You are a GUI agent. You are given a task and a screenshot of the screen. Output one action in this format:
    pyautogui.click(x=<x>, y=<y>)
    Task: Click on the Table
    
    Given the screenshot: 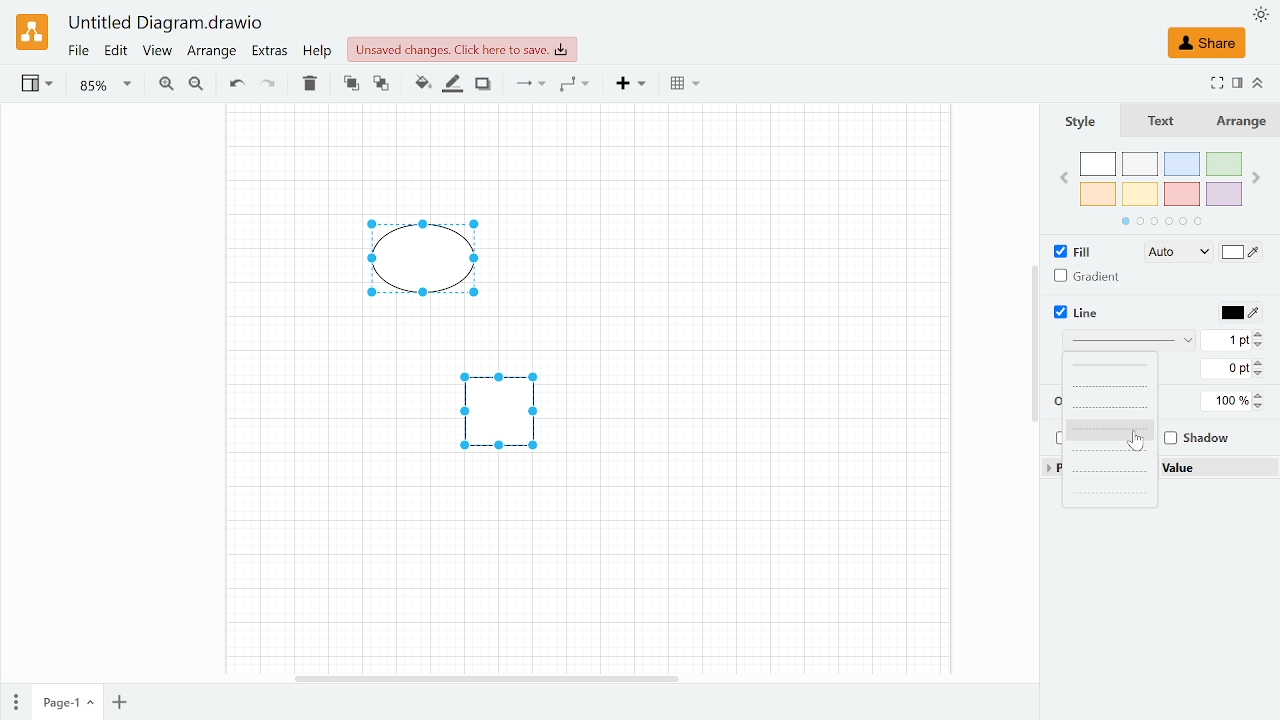 What is the action you would take?
    pyautogui.click(x=685, y=86)
    